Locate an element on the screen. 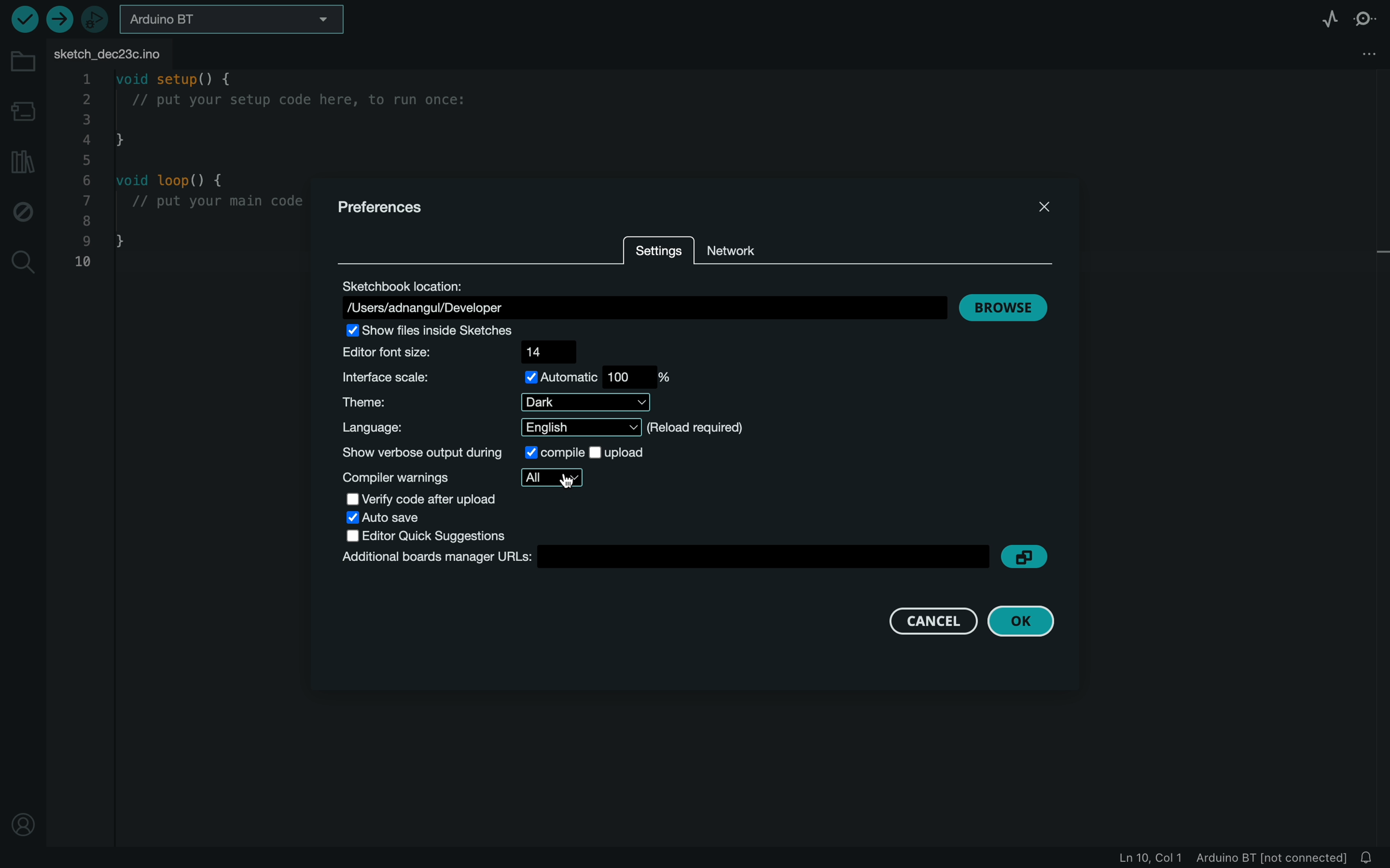  file tab is located at coordinates (122, 52).